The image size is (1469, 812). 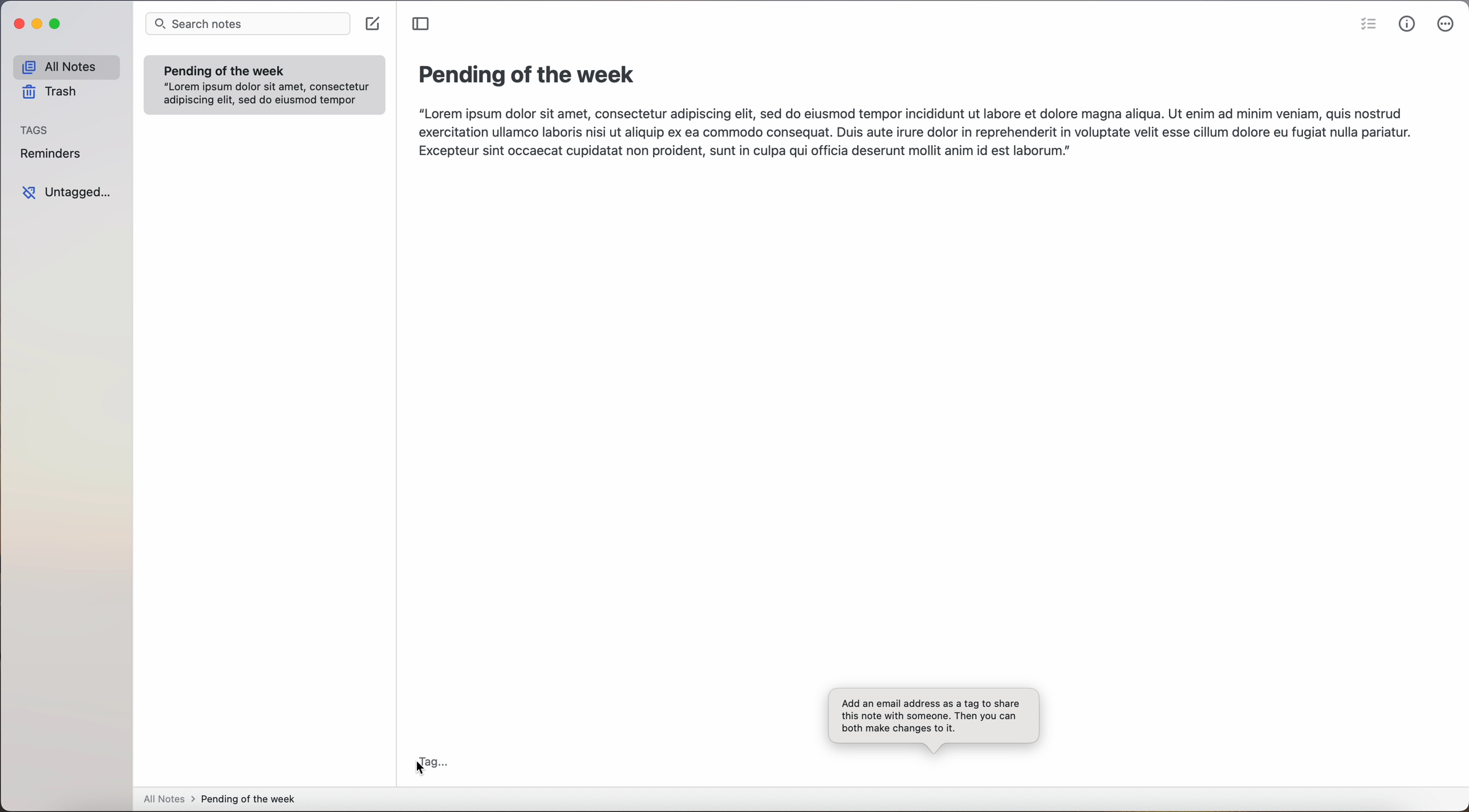 I want to click on minimize app, so click(x=38, y=24).